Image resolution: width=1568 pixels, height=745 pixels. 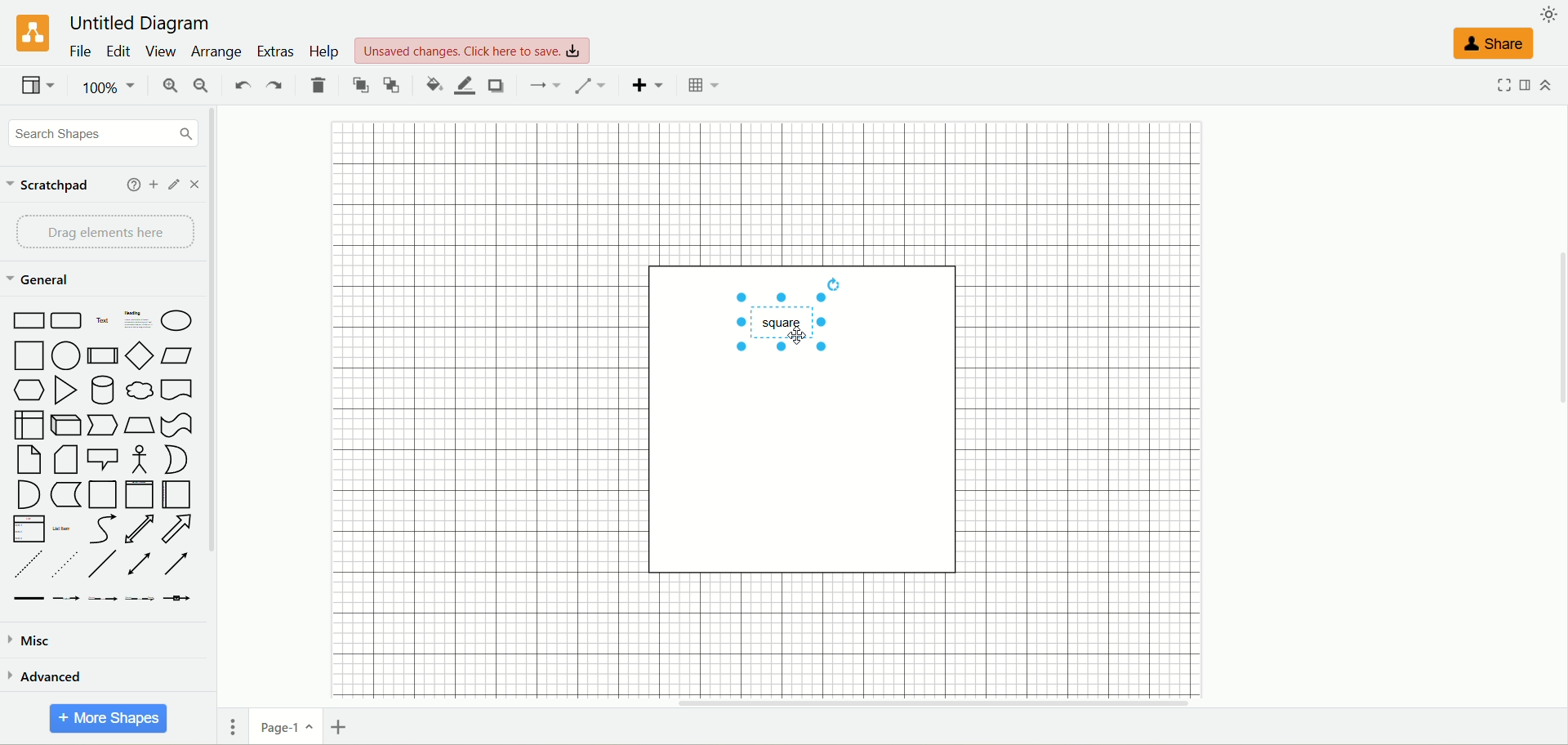 What do you see at coordinates (131, 184) in the screenshot?
I see `help` at bounding box center [131, 184].